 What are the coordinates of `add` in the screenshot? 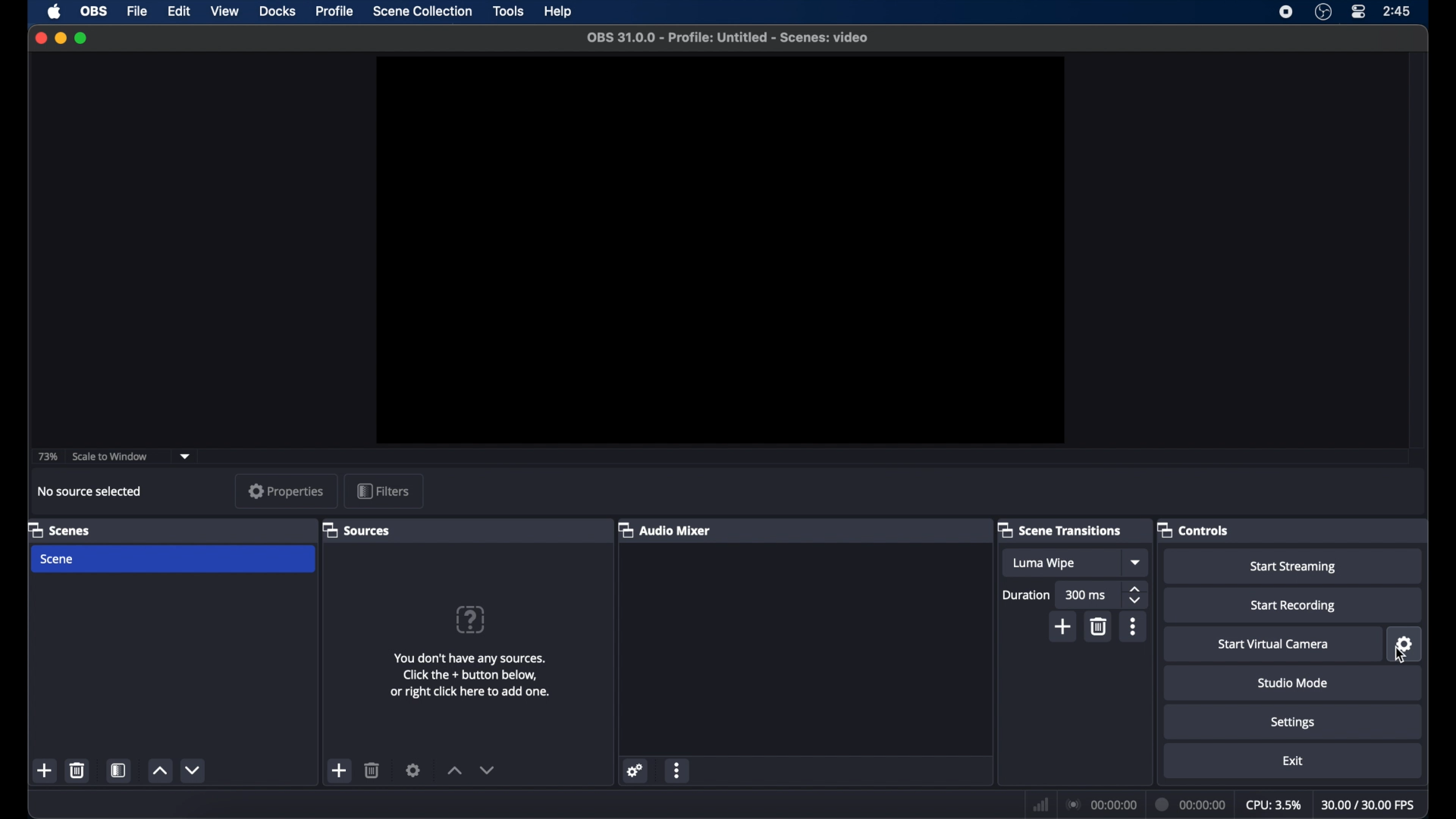 It's located at (340, 770).